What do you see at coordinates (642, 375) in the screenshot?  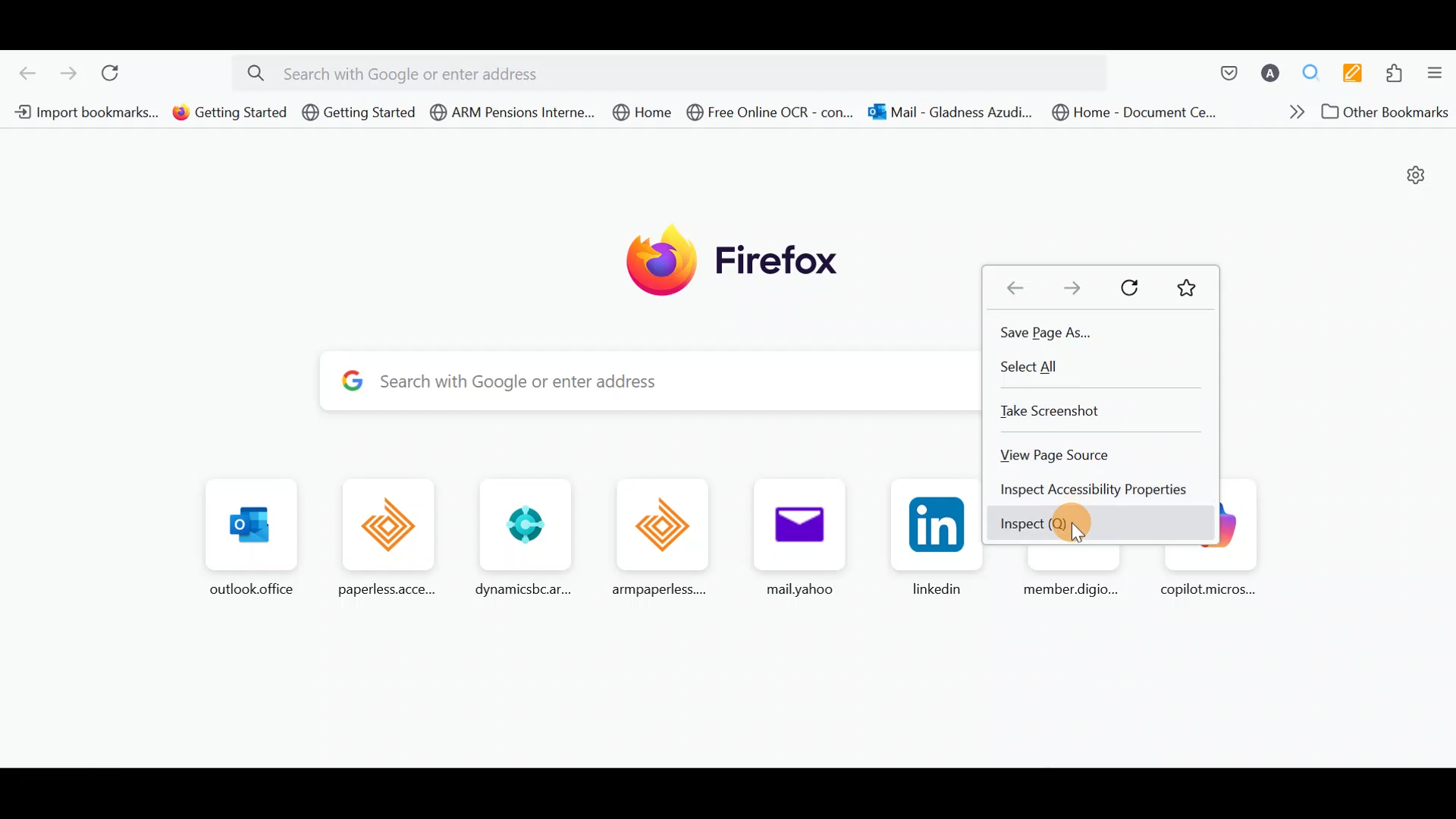 I see `Search bar` at bounding box center [642, 375].